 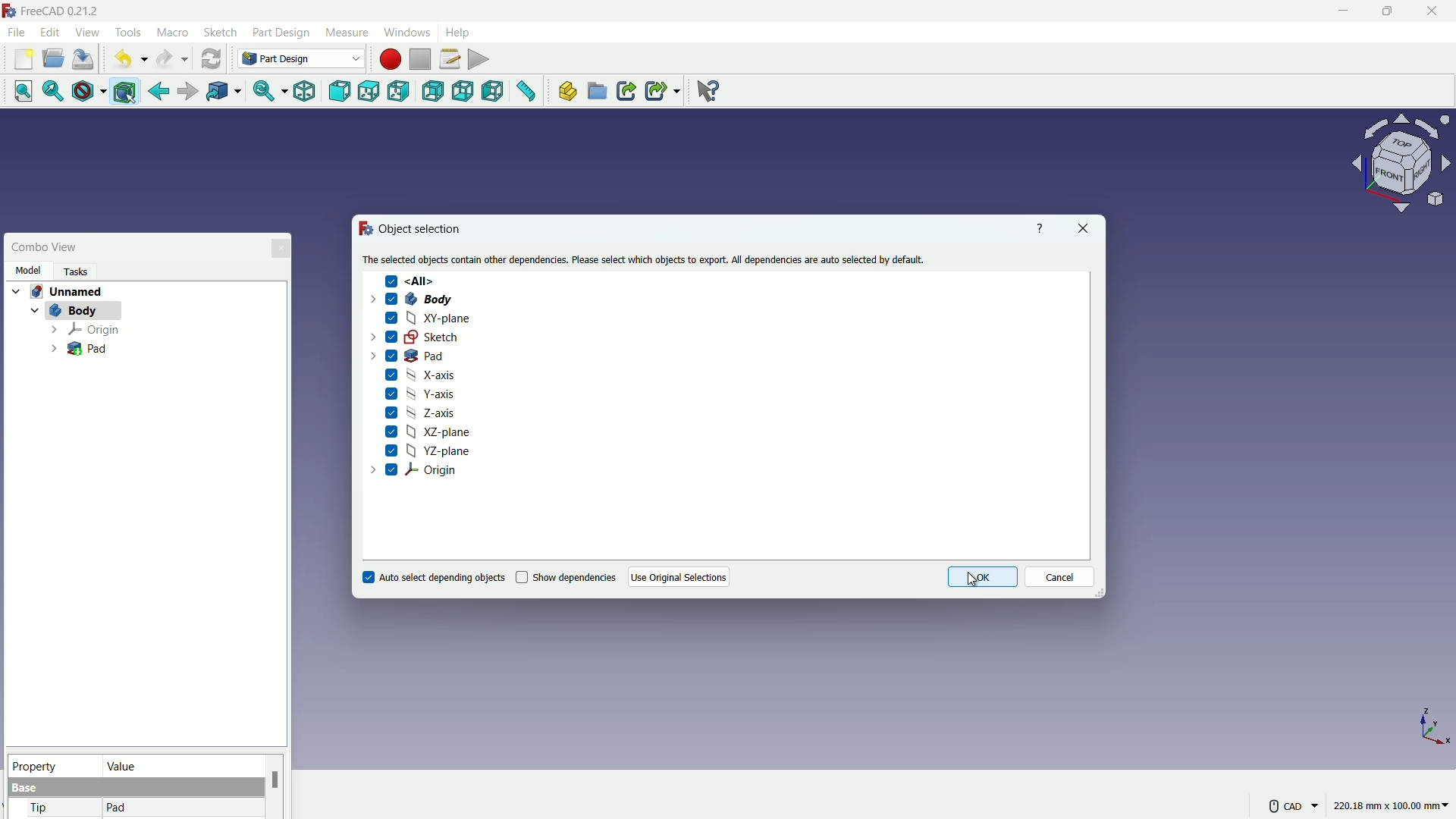 I want to click on isometric view, so click(x=304, y=93).